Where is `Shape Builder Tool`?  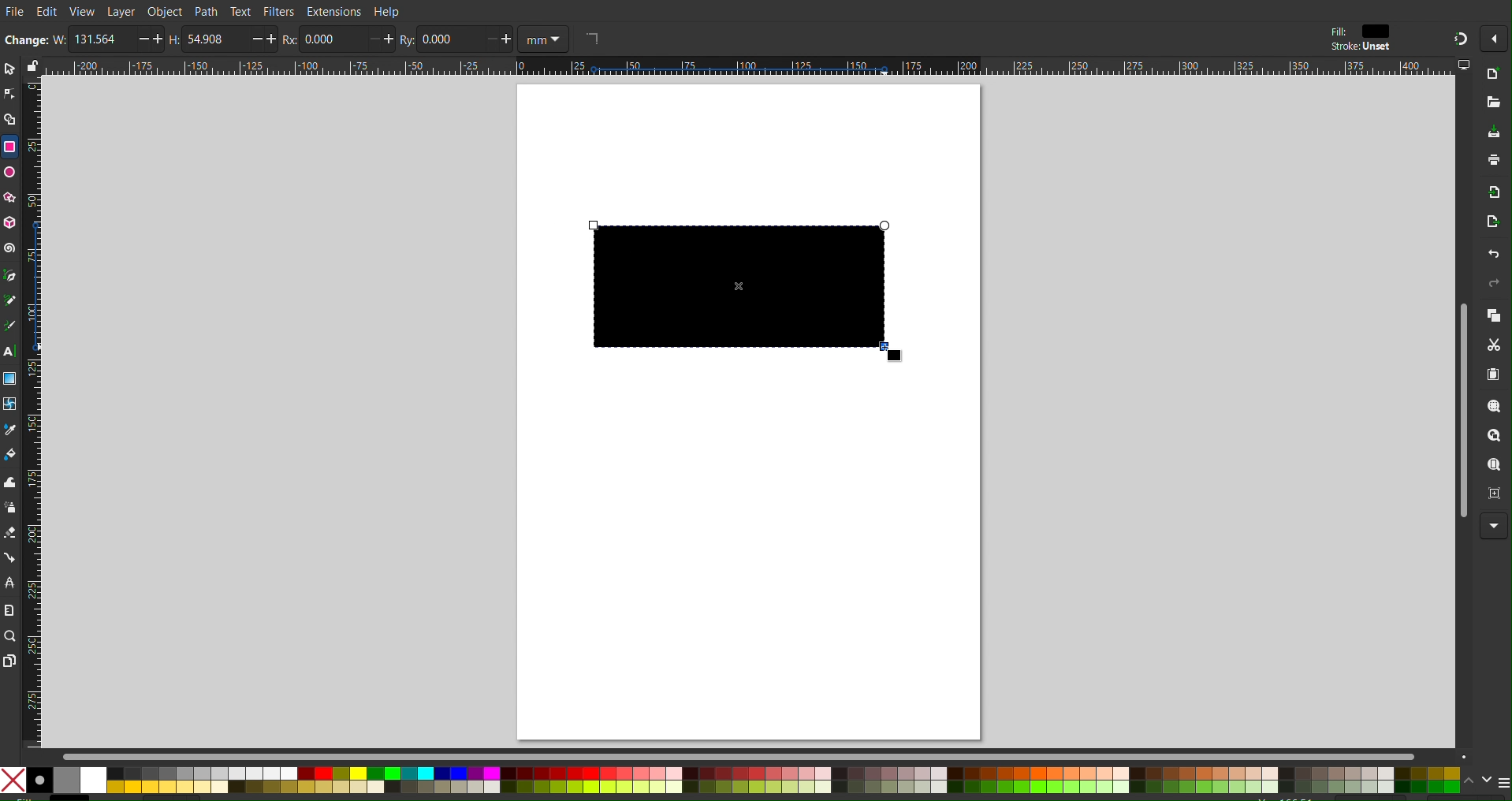
Shape Builder Tool is located at coordinates (9, 117).